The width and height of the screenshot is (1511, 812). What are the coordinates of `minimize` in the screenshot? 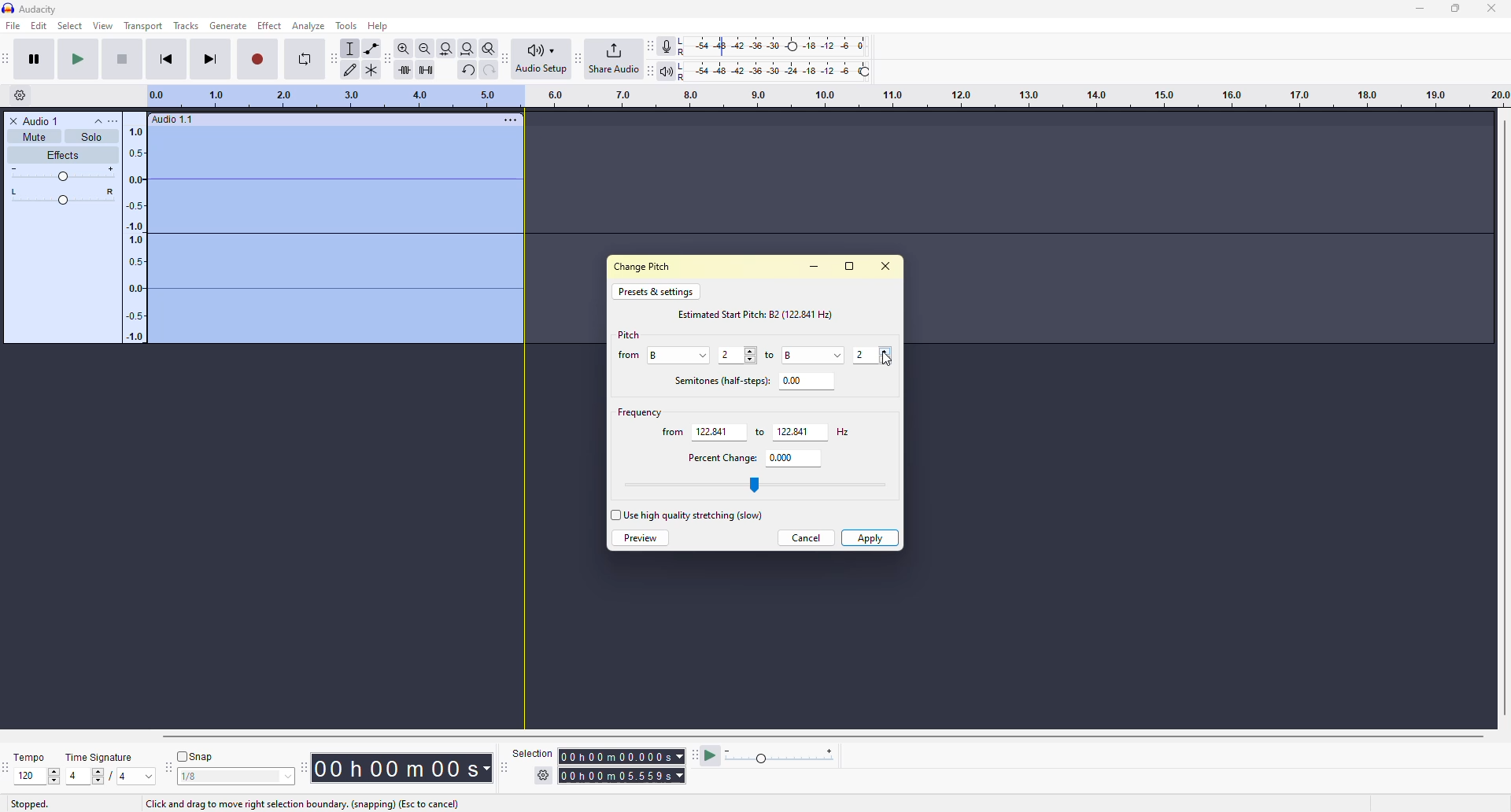 It's located at (1415, 9).